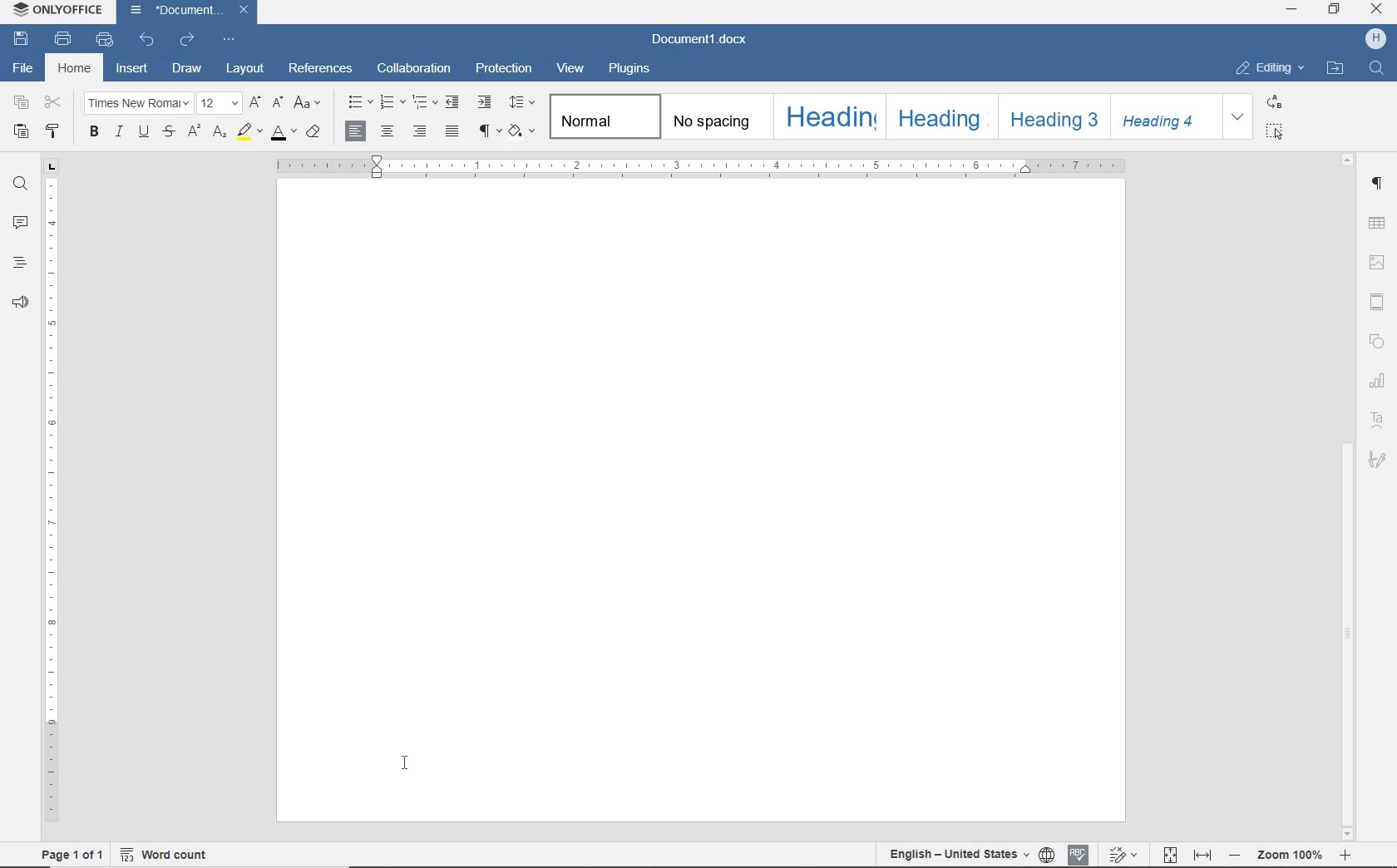 The image size is (1397, 868). Describe the element at coordinates (387, 132) in the screenshot. I see `ALIGN CENTER` at that location.